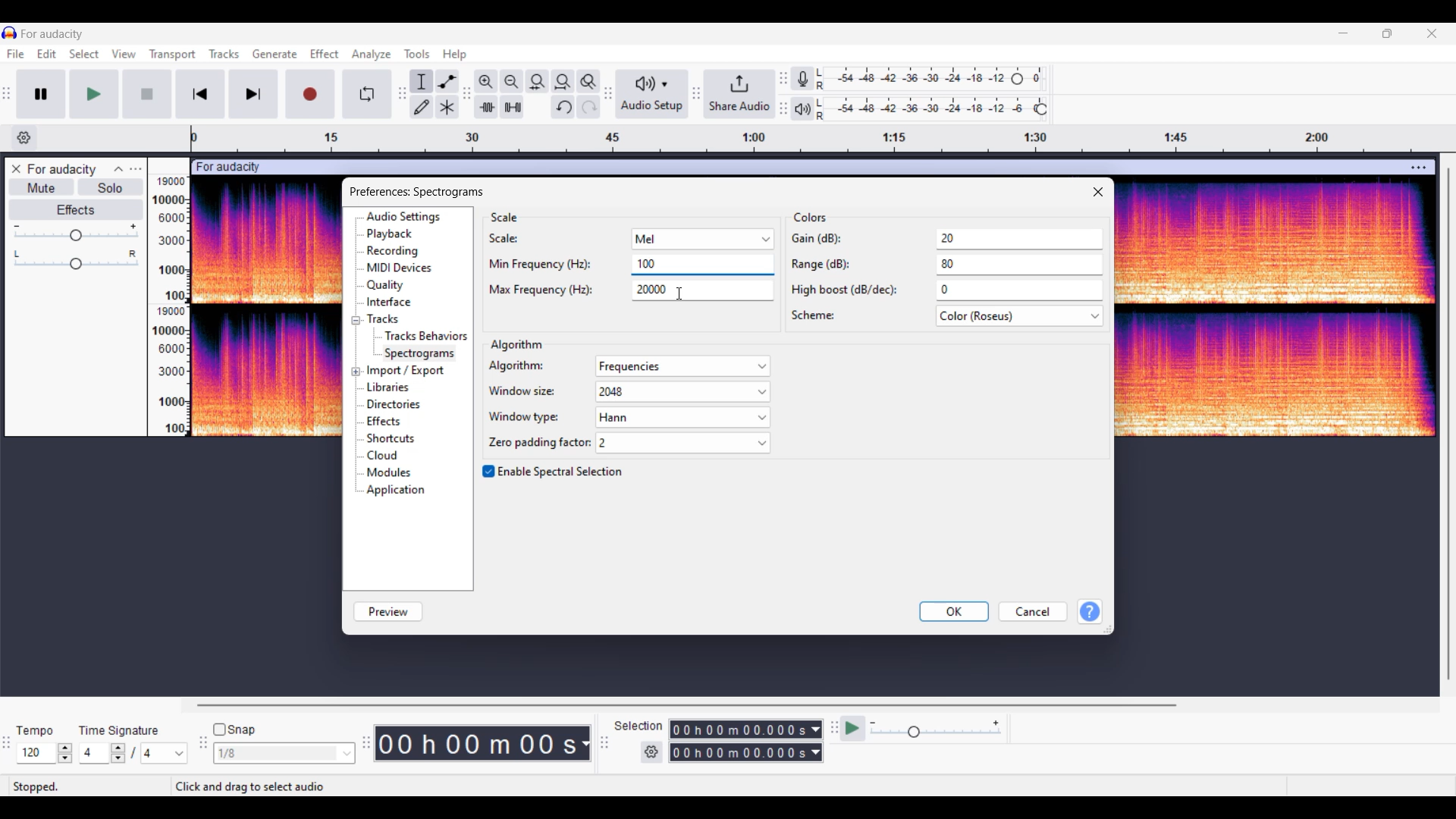 This screenshot has width=1456, height=819. I want to click on OK, so click(954, 611).